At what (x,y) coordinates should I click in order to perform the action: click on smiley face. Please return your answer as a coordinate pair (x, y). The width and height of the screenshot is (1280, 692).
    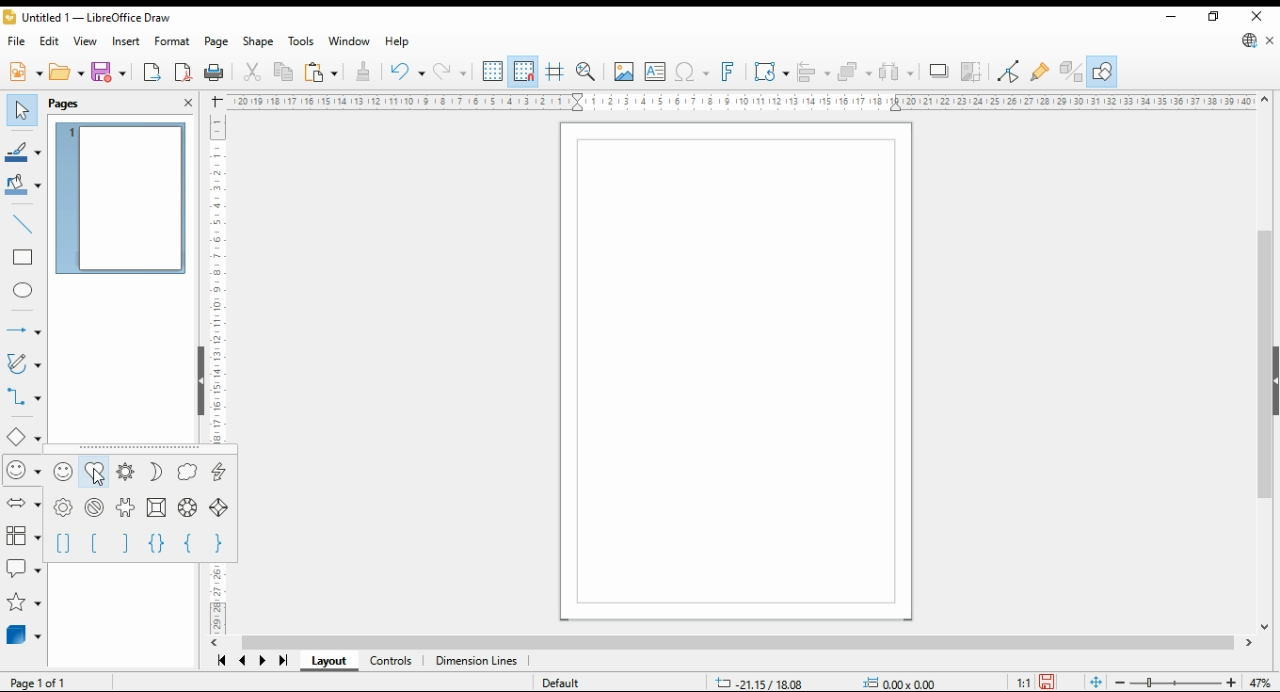
    Looking at the image, I should click on (63, 471).